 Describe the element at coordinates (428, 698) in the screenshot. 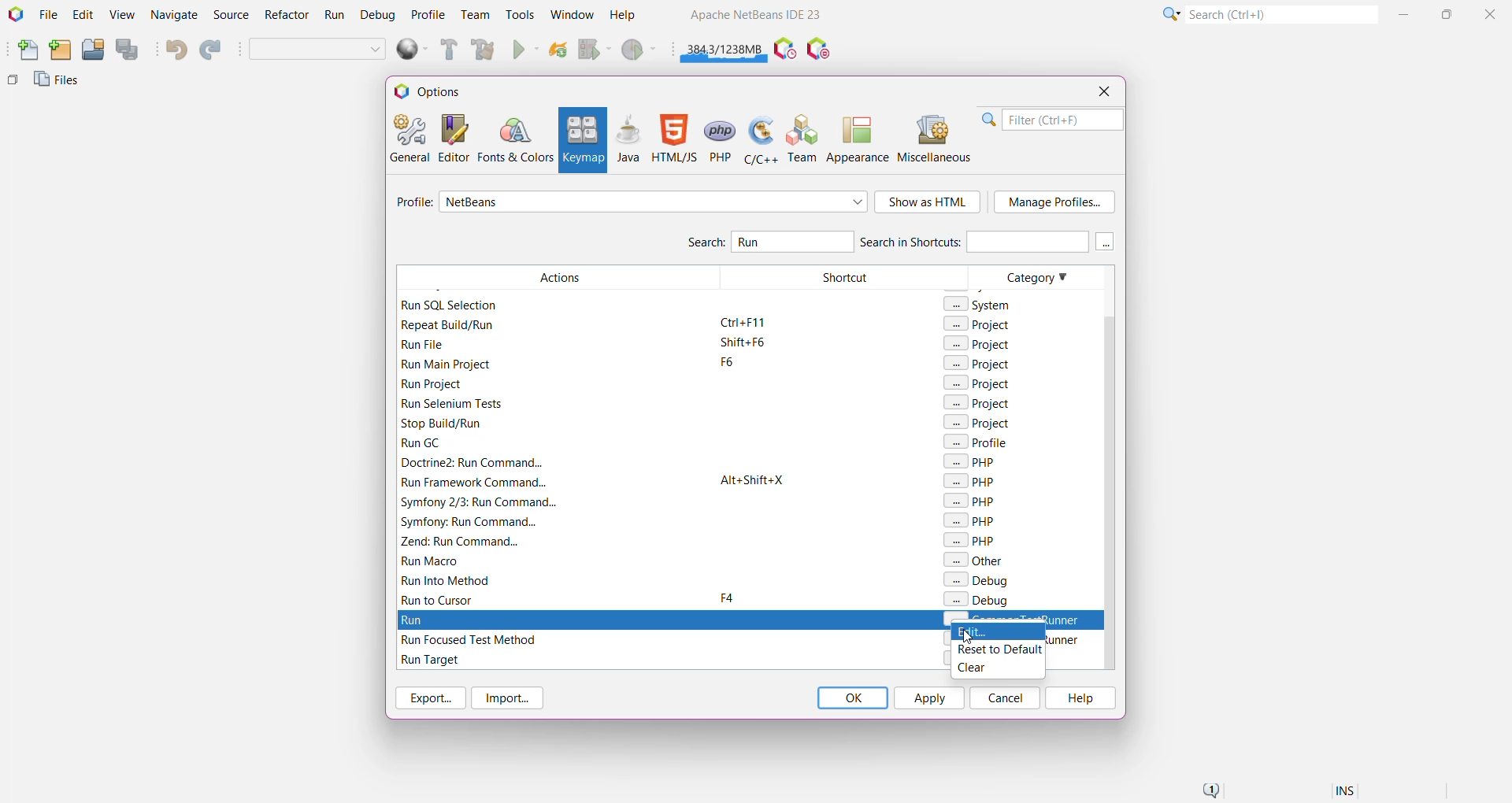

I see `Export` at that location.